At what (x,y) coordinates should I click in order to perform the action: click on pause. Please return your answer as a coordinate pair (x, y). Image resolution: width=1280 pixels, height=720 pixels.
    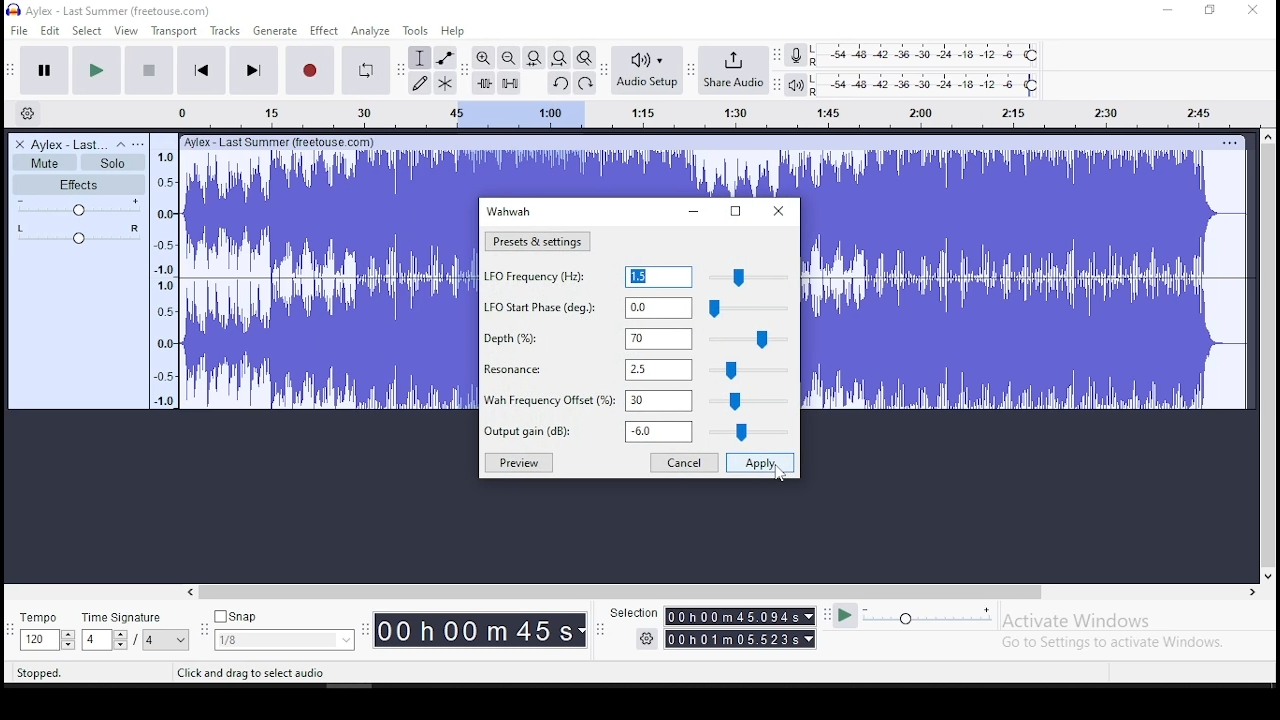
    Looking at the image, I should click on (42, 70).